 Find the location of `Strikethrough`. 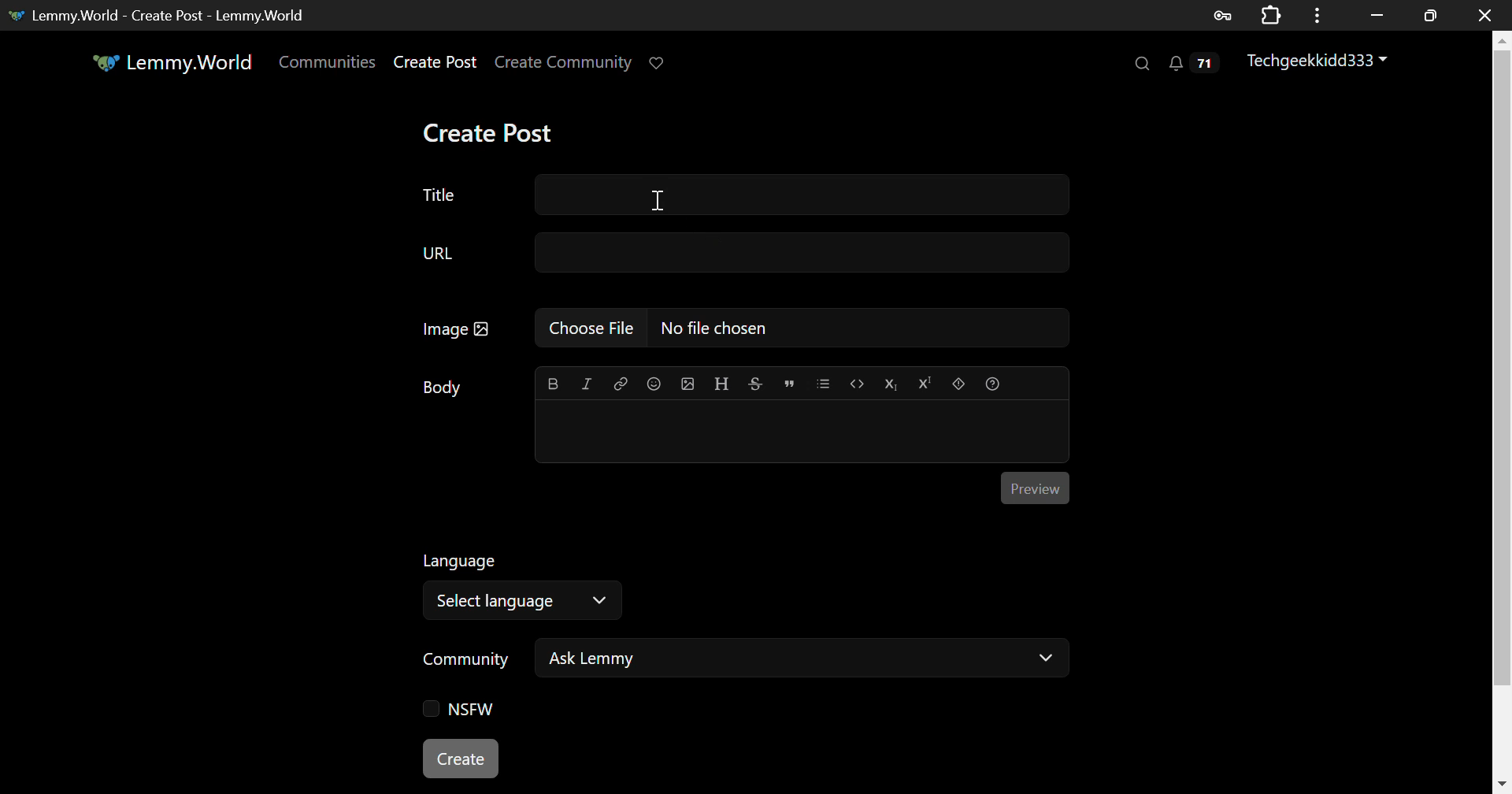

Strikethrough is located at coordinates (754, 384).